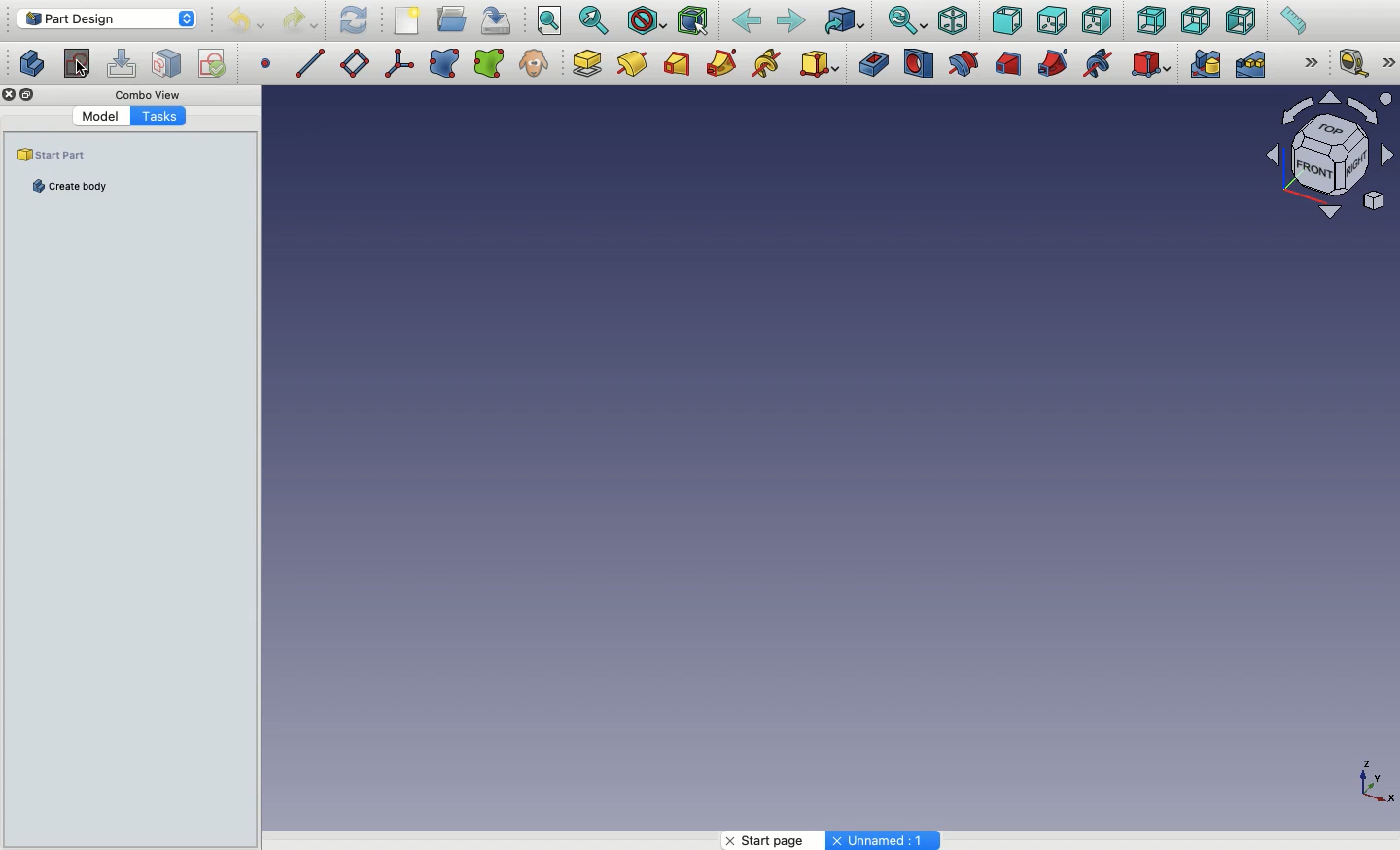 This screenshot has height=850, width=1400. What do you see at coordinates (148, 95) in the screenshot?
I see `Combo View` at bounding box center [148, 95].